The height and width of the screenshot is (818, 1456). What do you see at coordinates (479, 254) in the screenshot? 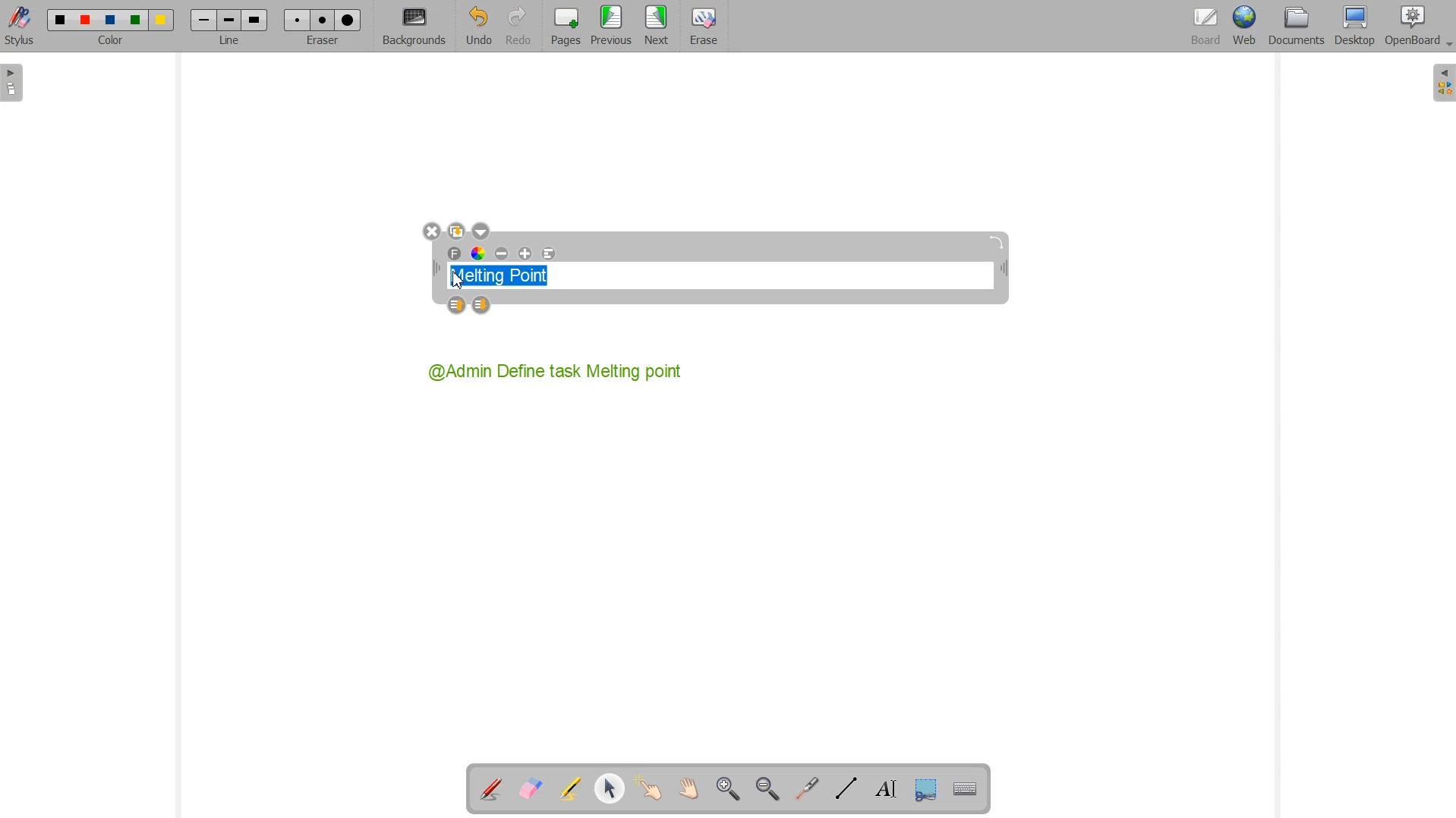
I see `Text Color` at bounding box center [479, 254].